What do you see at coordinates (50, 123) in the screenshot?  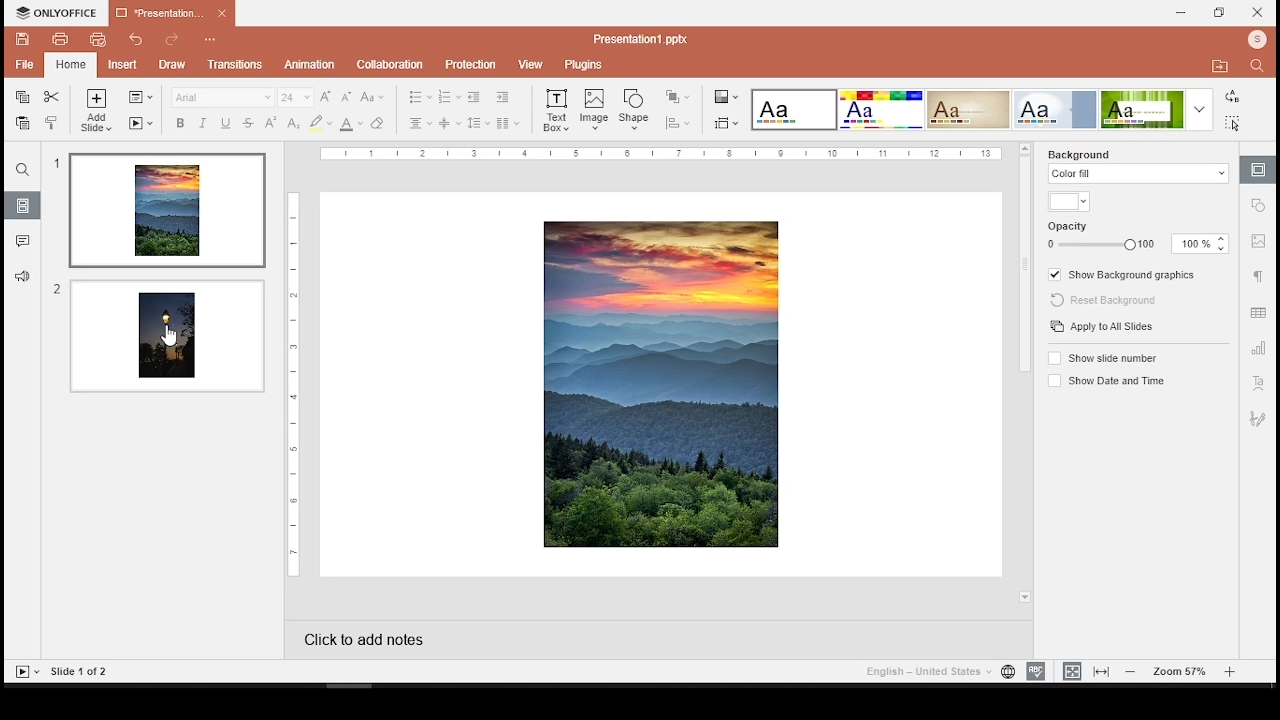 I see `clone formatting` at bounding box center [50, 123].